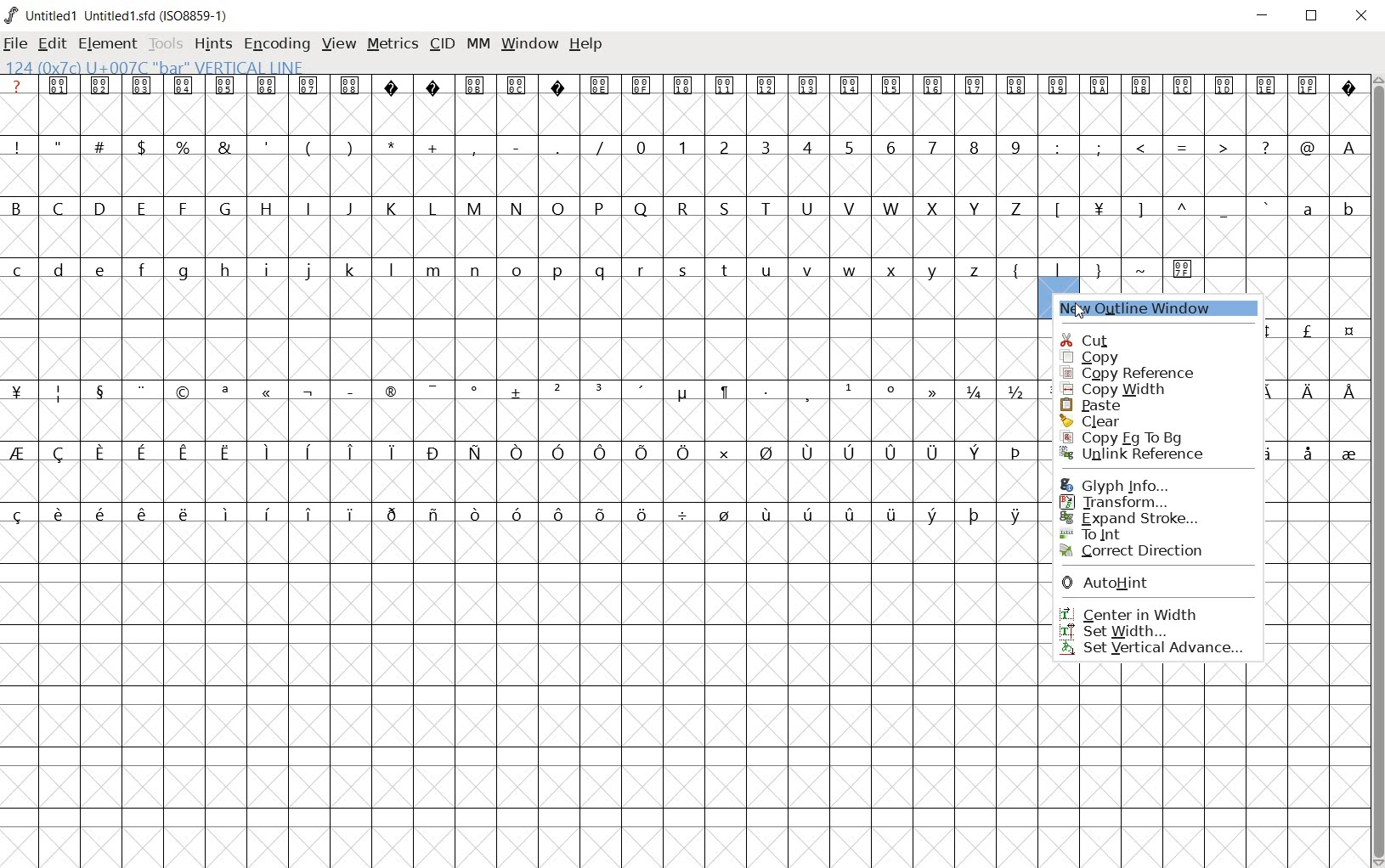 The height and width of the screenshot is (868, 1385). Describe the element at coordinates (517, 302) in the screenshot. I see `empty cells` at that location.